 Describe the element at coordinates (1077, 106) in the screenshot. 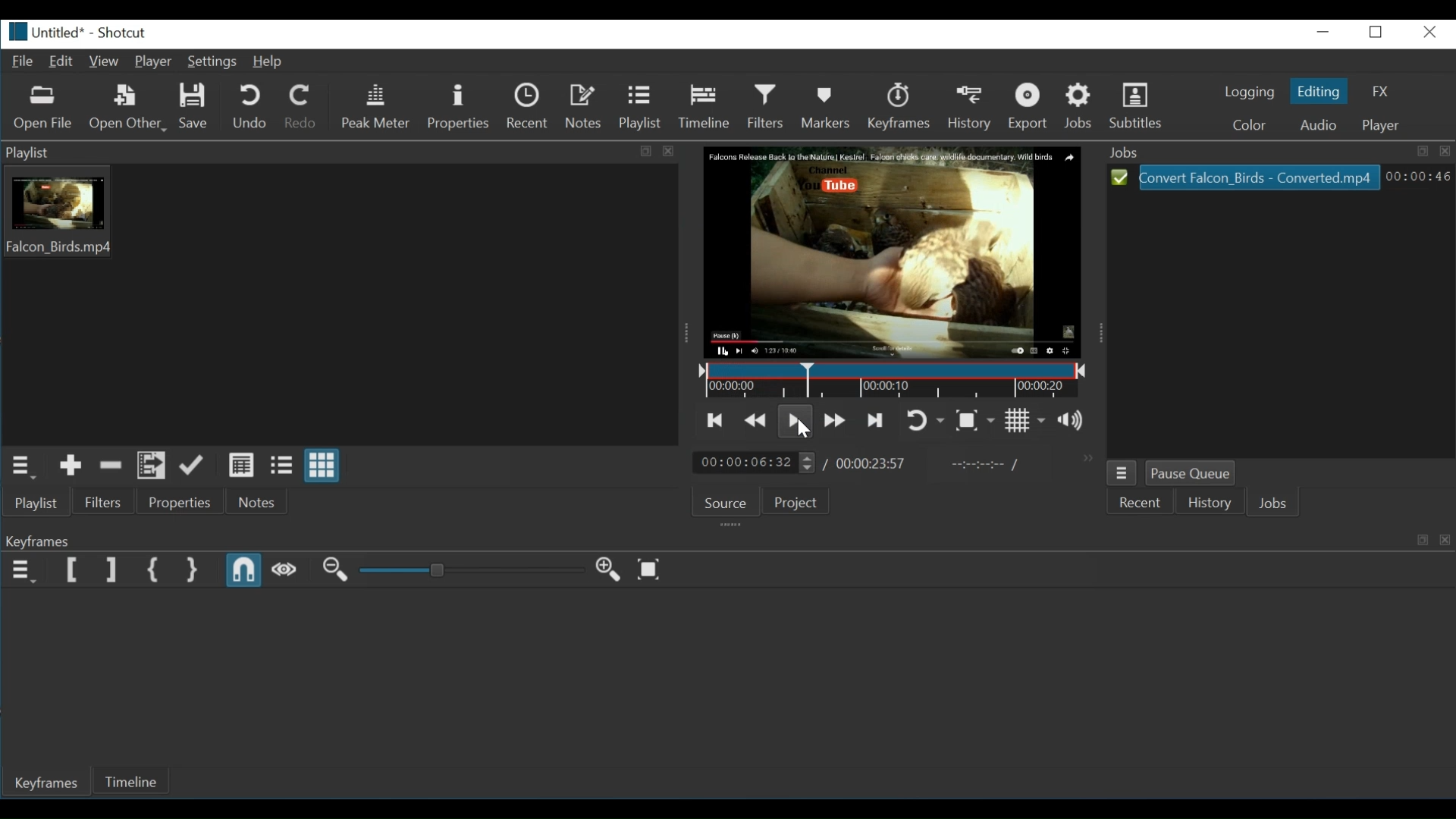

I see `Jobs` at that location.